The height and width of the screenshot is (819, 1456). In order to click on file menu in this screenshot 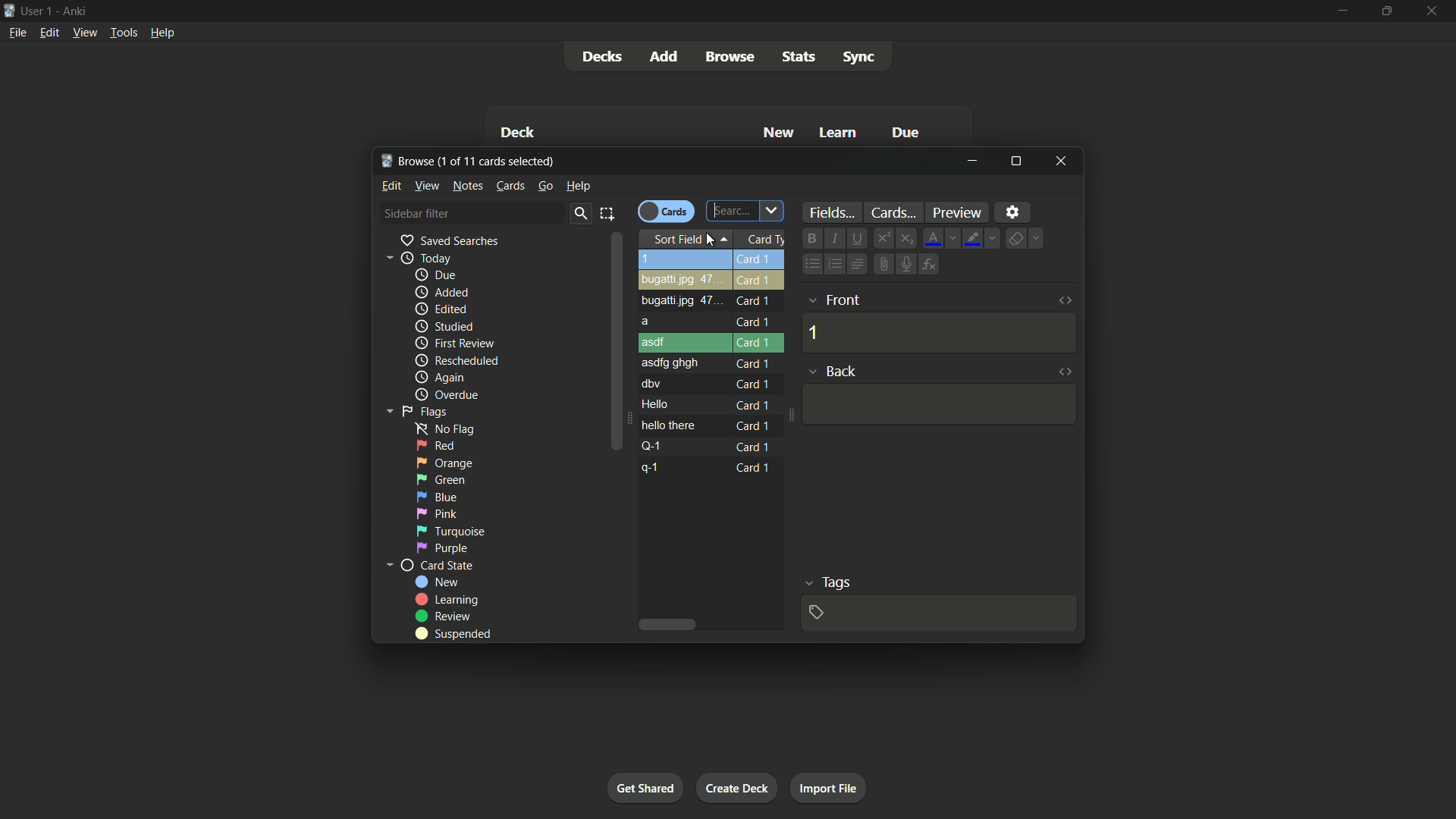, I will do `click(17, 32)`.